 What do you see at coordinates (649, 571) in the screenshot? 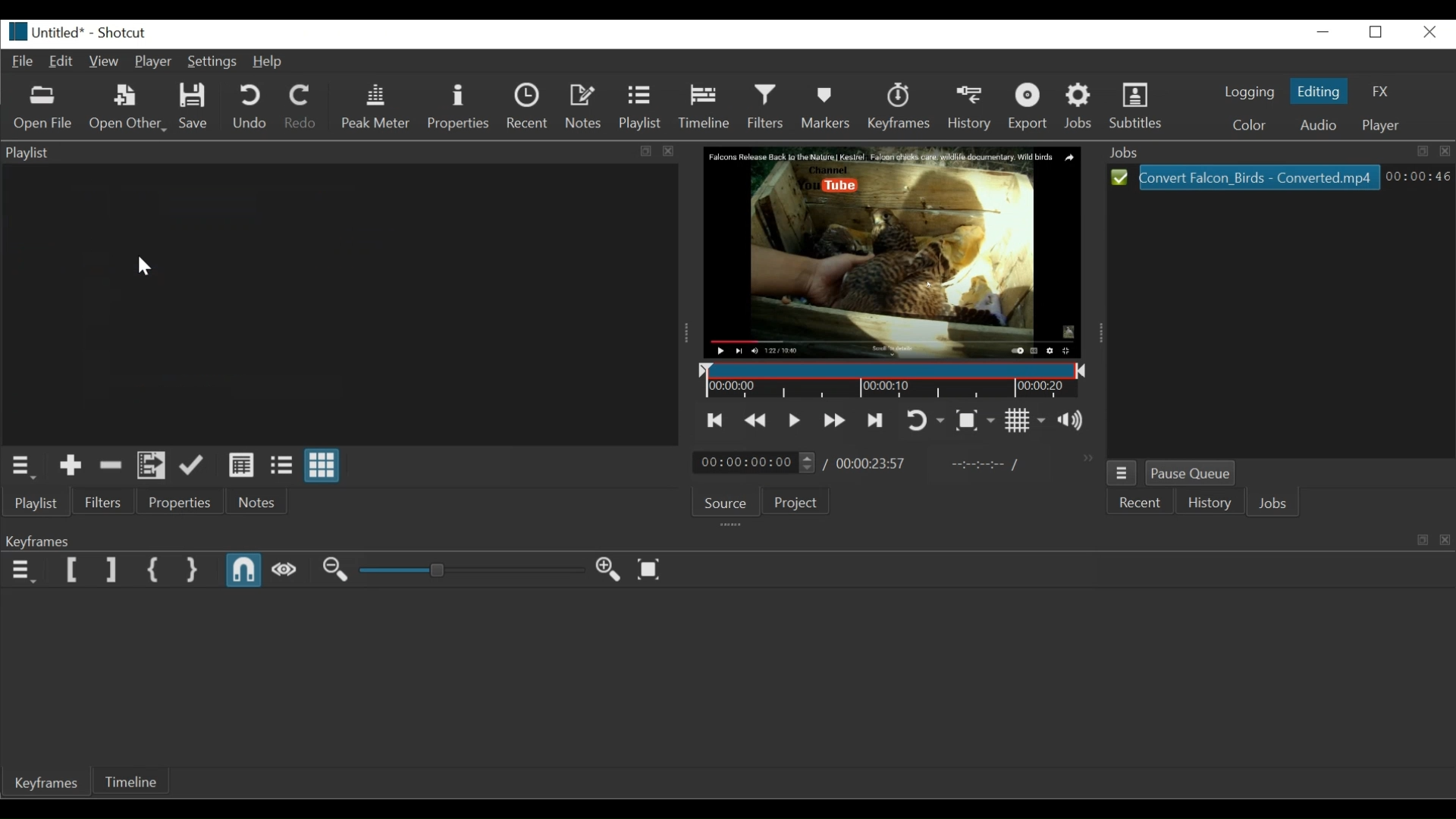
I see `Zoom keyframe to fit` at bounding box center [649, 571].